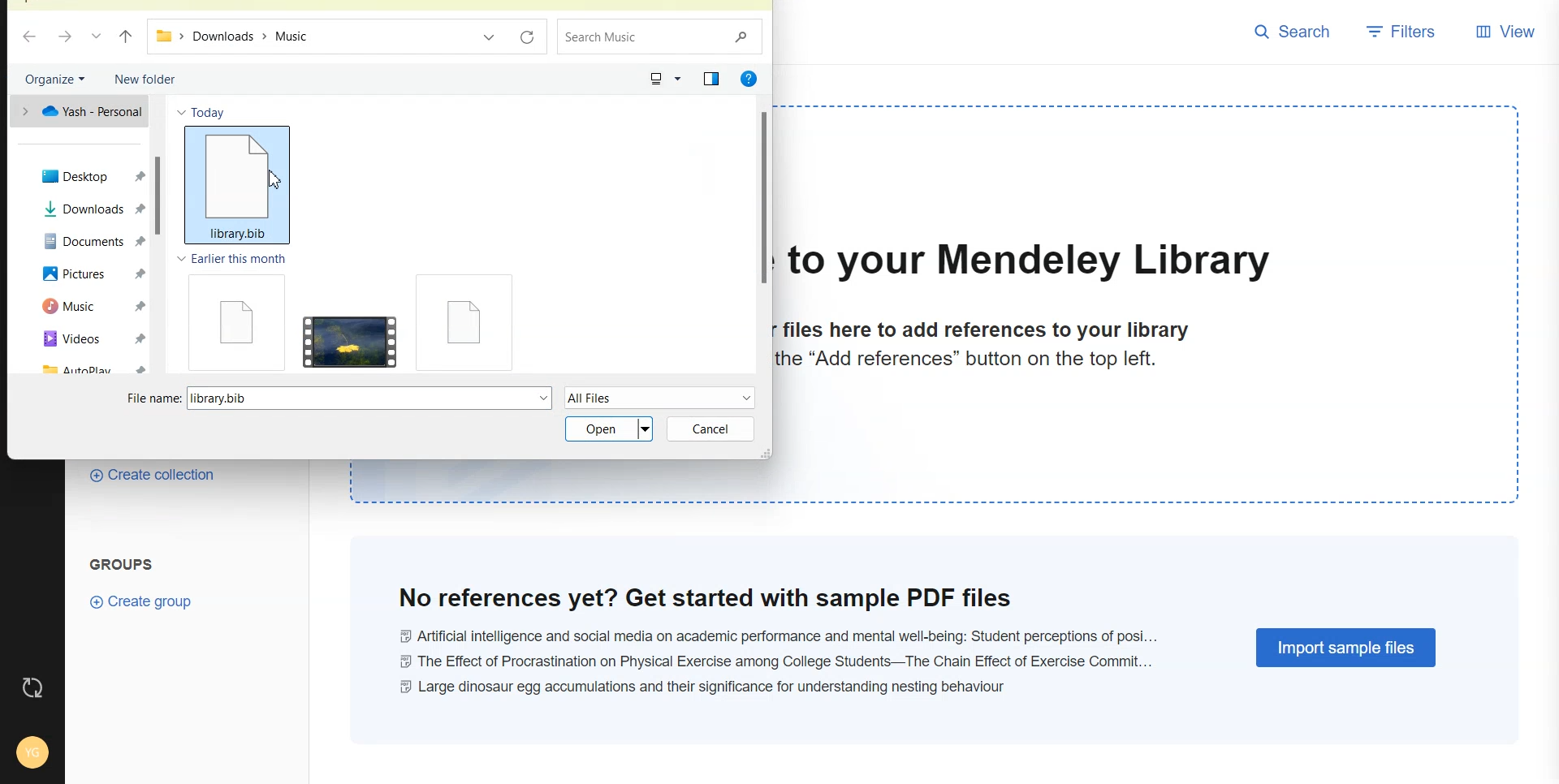 Image resolution: width=1559 pixels, height=784 pixels. What do you see at coordinates (34, 751) in the screenshot?
I see `Account` at bounding box center [34, 751].